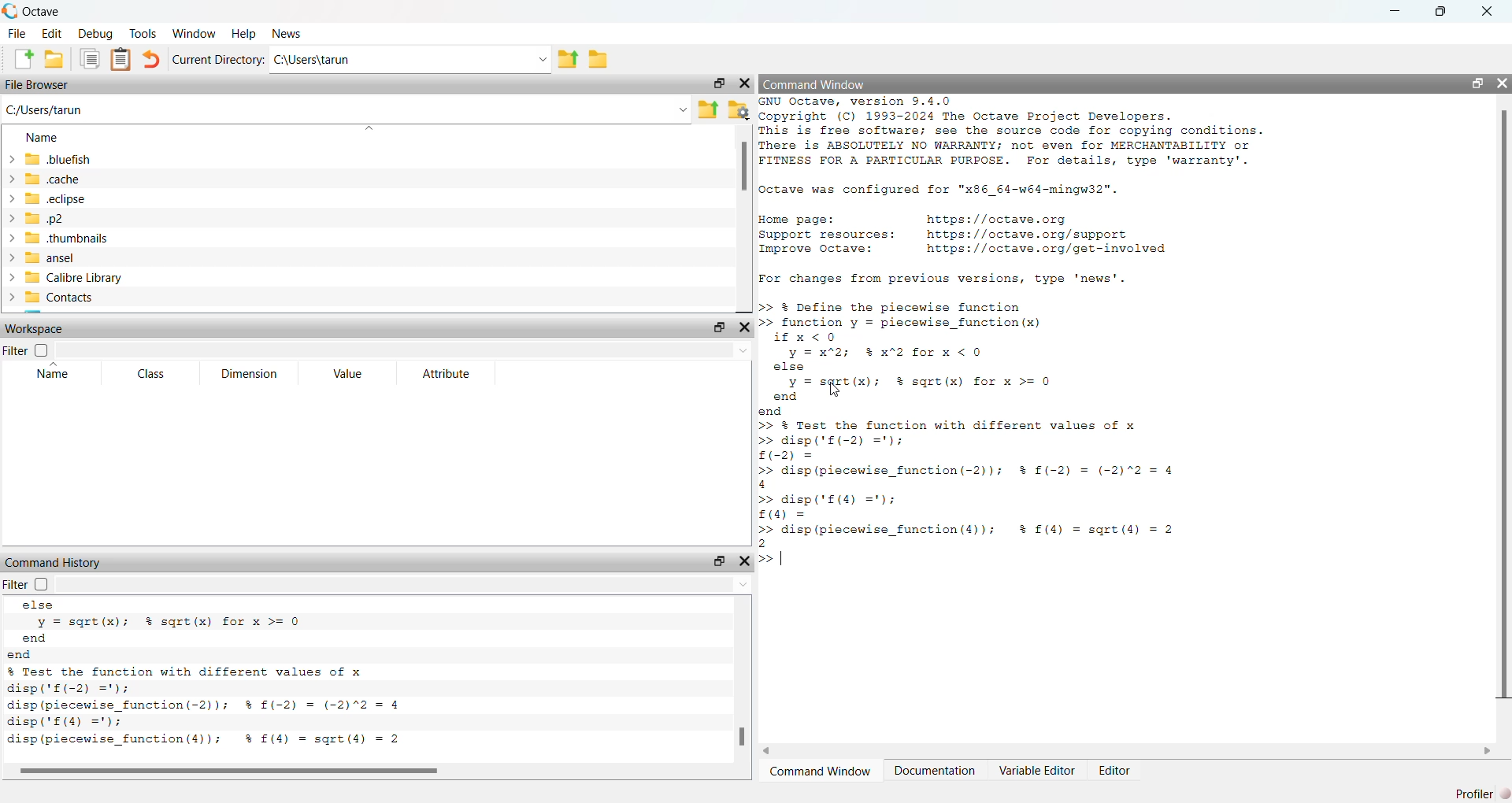  Describe the element at coordinates (143, 32) in the screenshot. I see `Tools` at that location.